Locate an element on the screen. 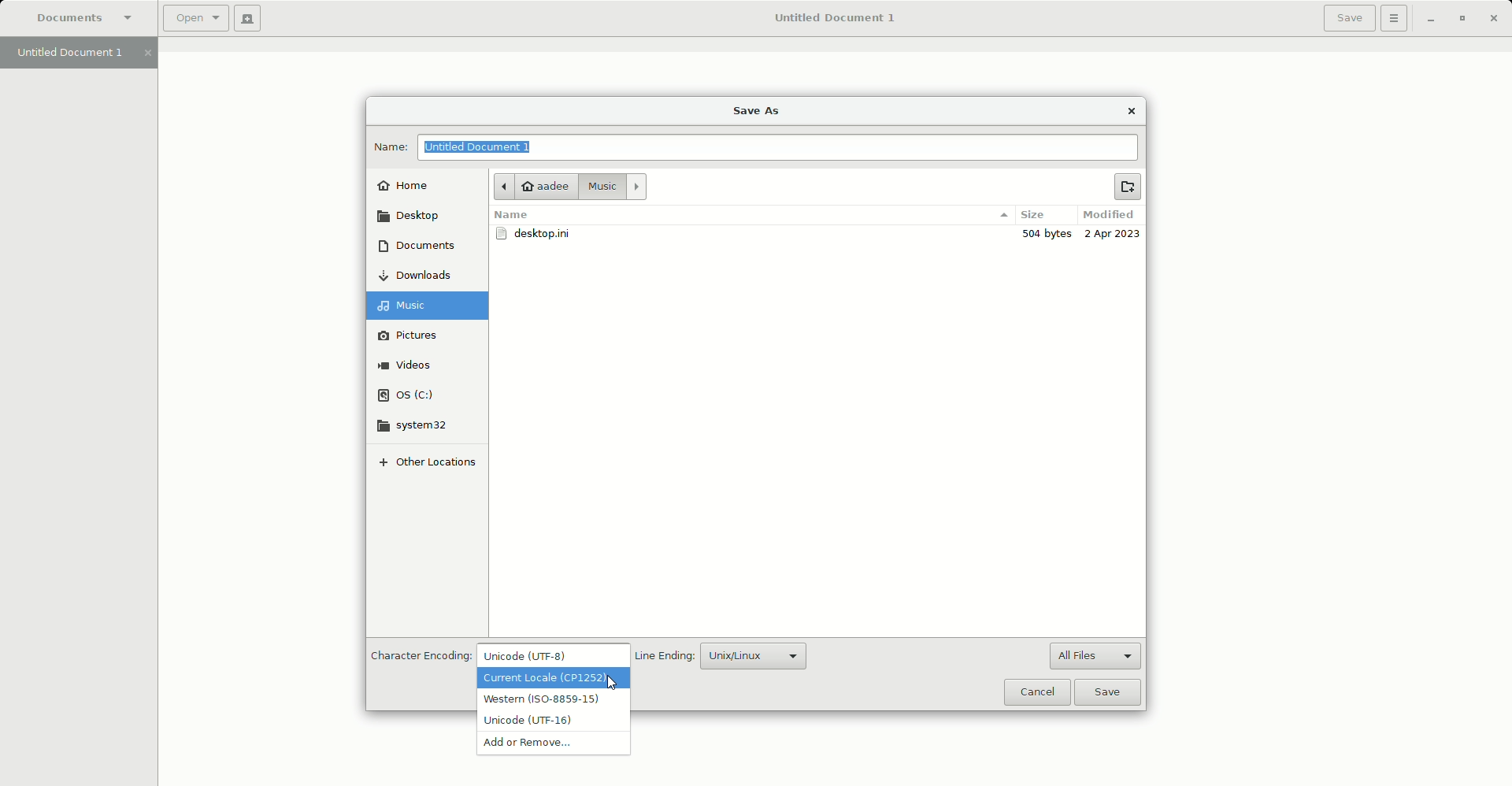 The height and width of the screenshot is (786, 1512). Documents is located at coordinates (87, 20).